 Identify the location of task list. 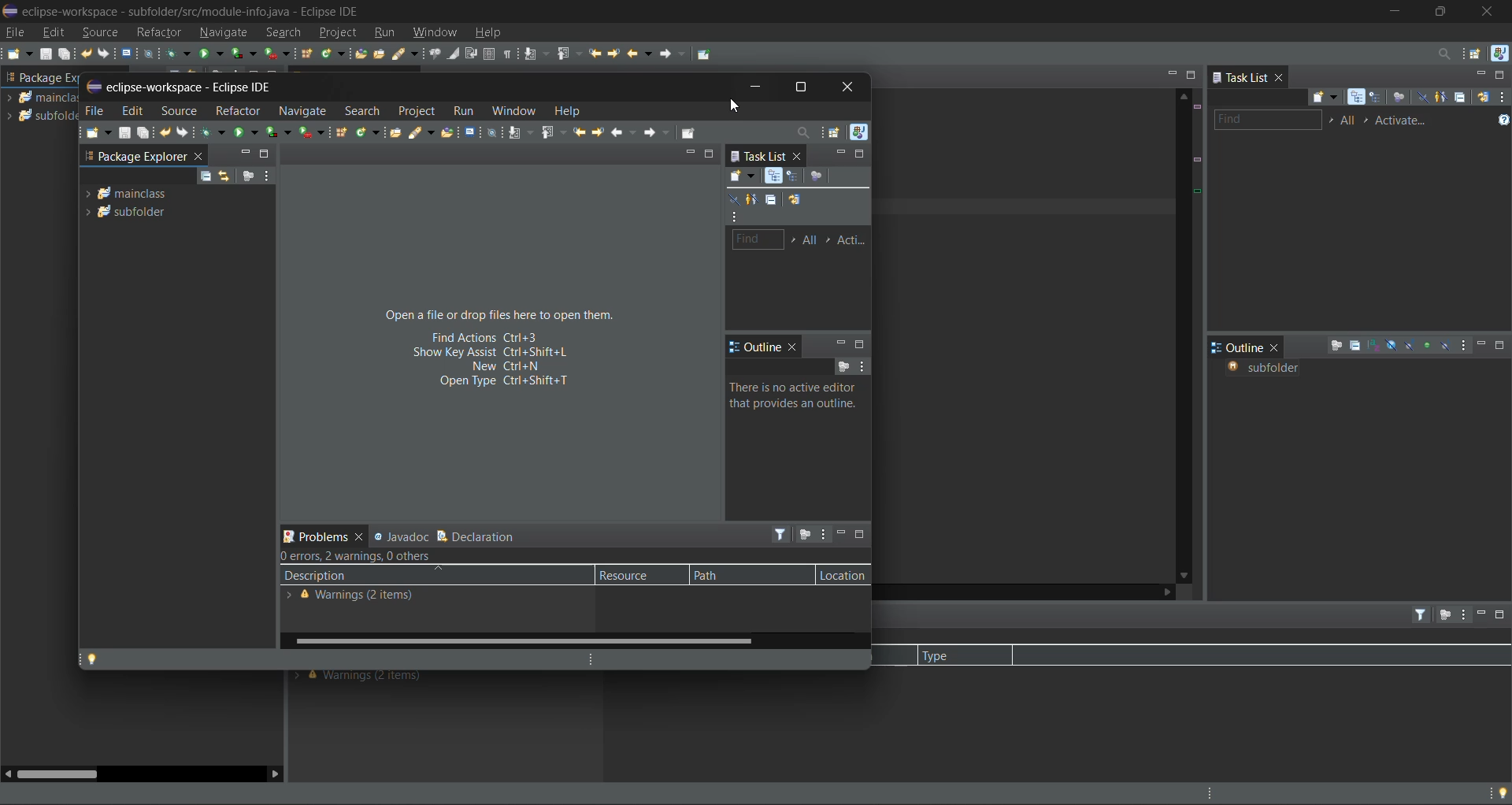
(1241, 78).